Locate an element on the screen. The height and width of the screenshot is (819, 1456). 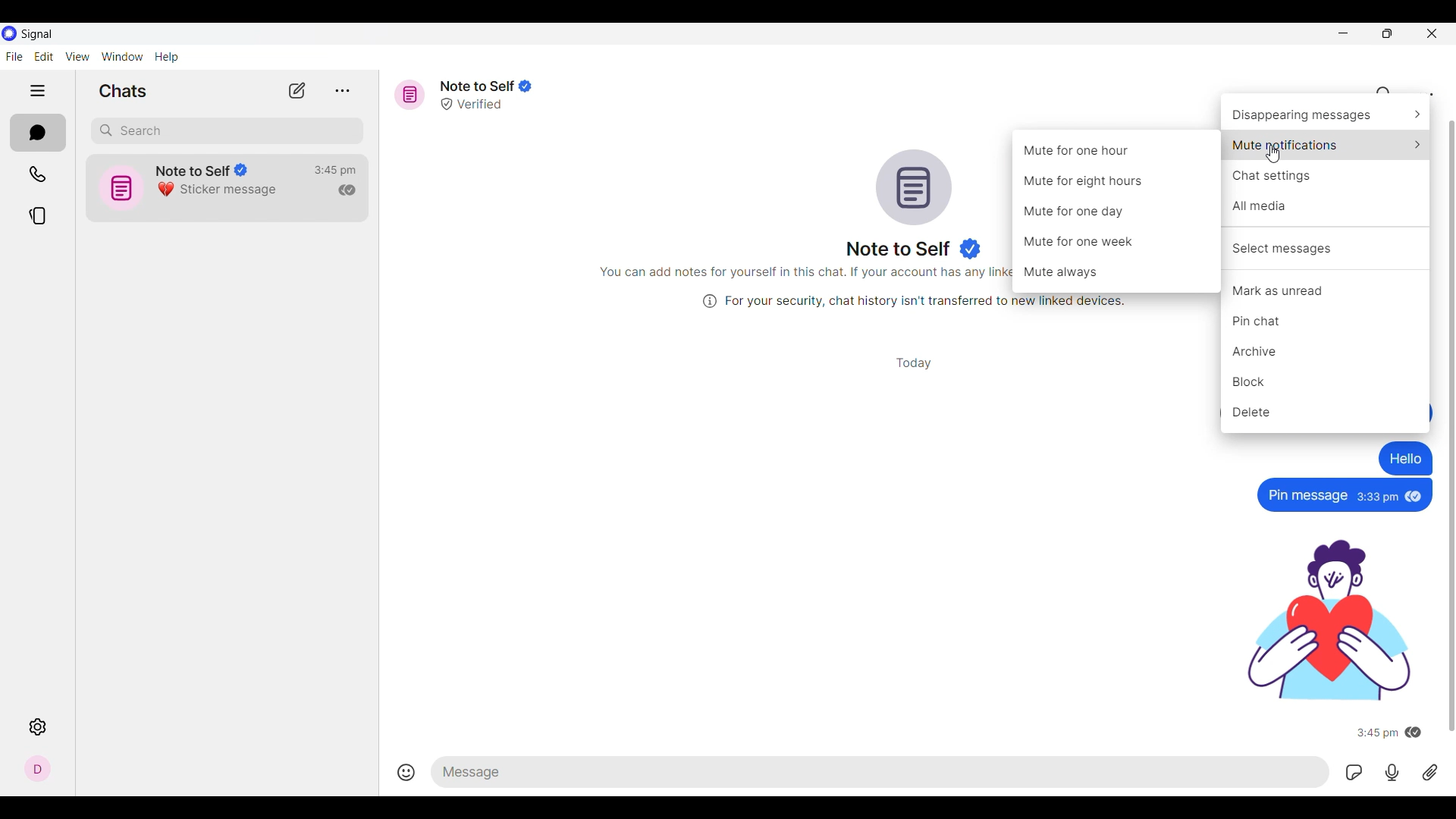
Mute notification options, highlighted by cursor is located at coordinates (1326, 145).